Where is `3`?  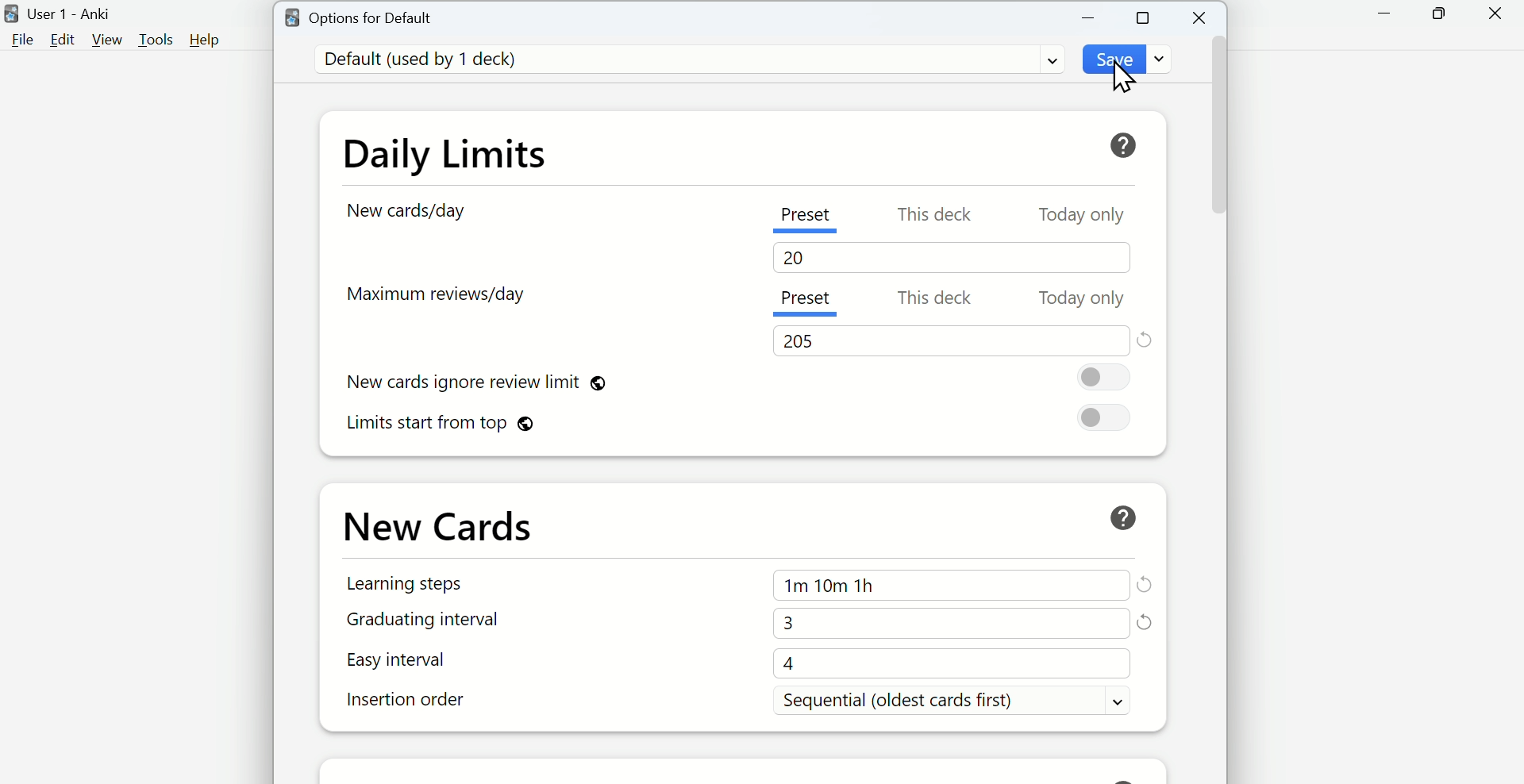 3 is located at coordinates (942, 623).